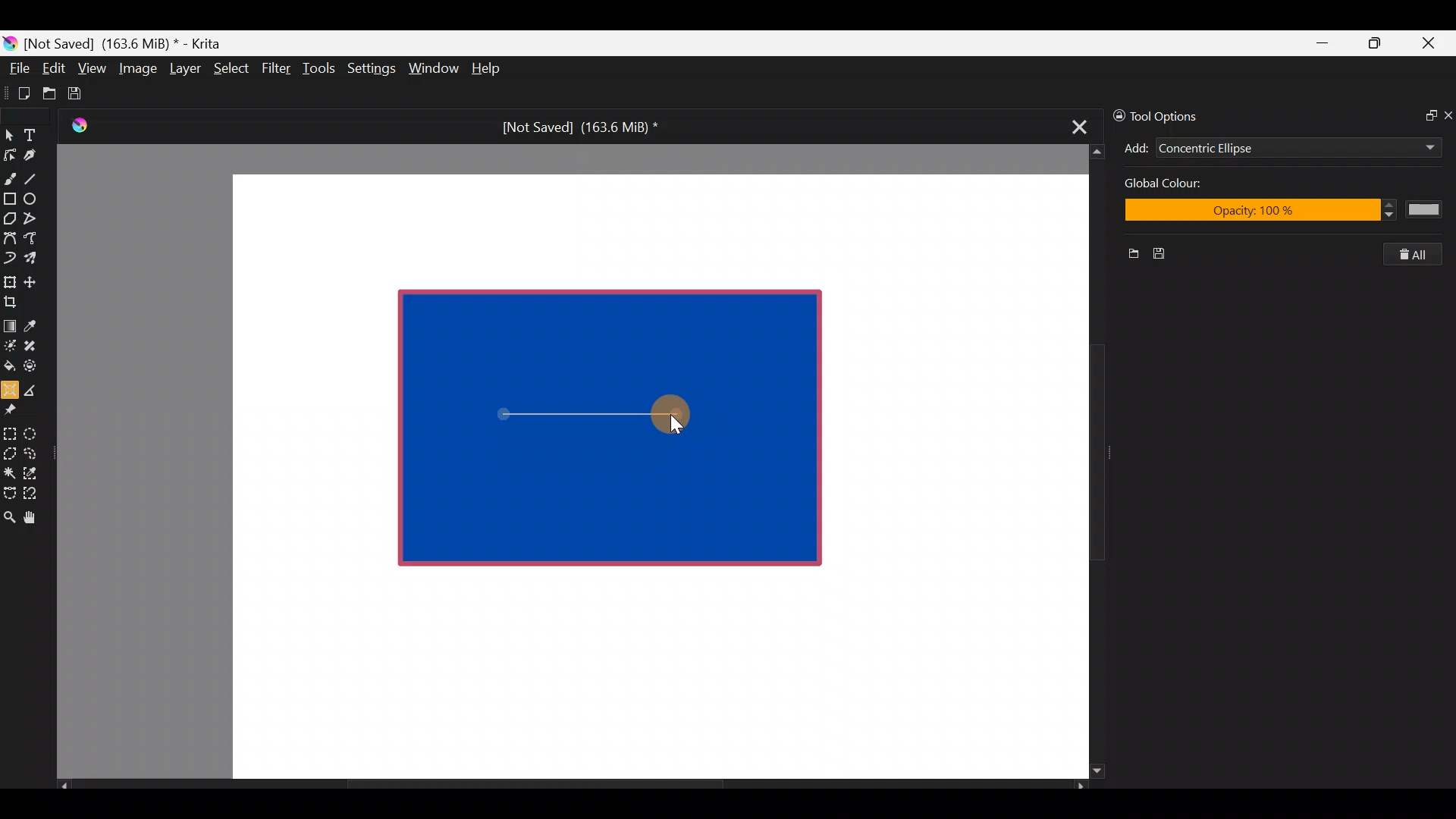 The width and height of the screenshot is (1456, 819). What do you see at coordinates (36, 431) in the screenshot?
I see `Elliptical selection tool` at bounding box center [36, 431].